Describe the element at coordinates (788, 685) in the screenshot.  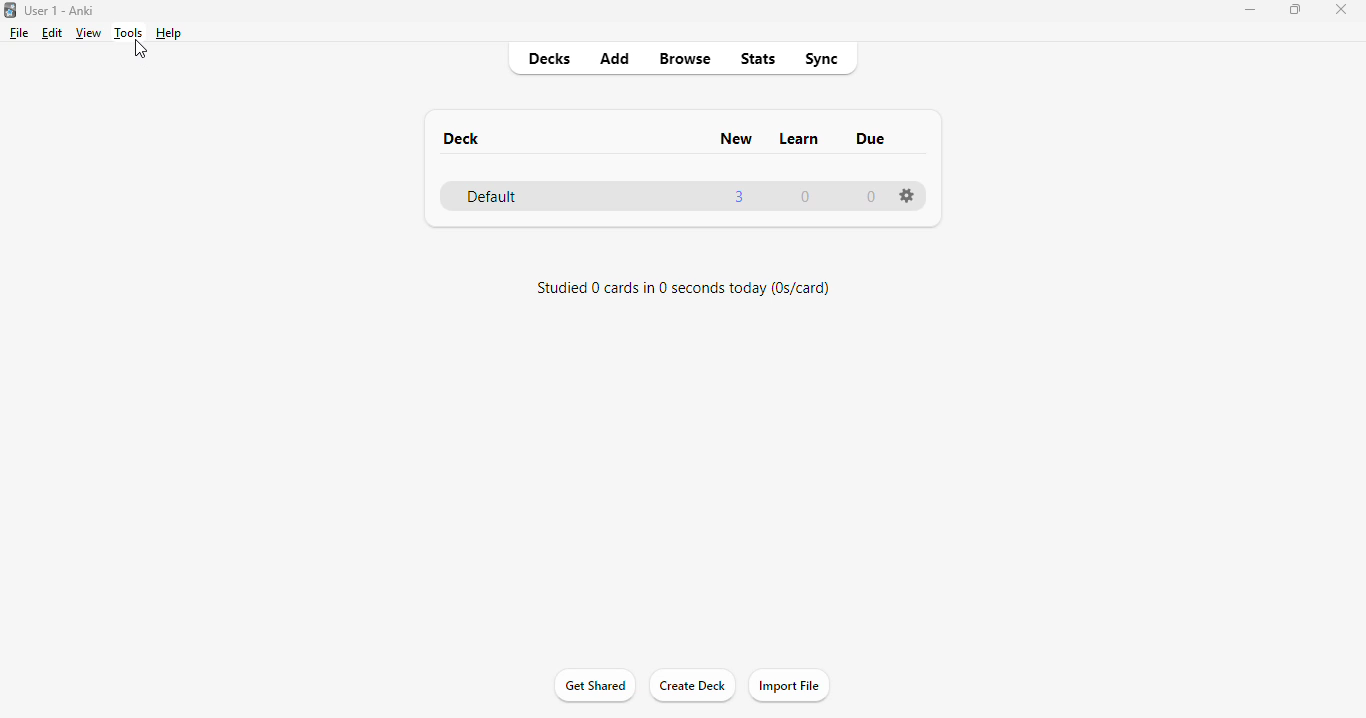
I see `import file` at that location.